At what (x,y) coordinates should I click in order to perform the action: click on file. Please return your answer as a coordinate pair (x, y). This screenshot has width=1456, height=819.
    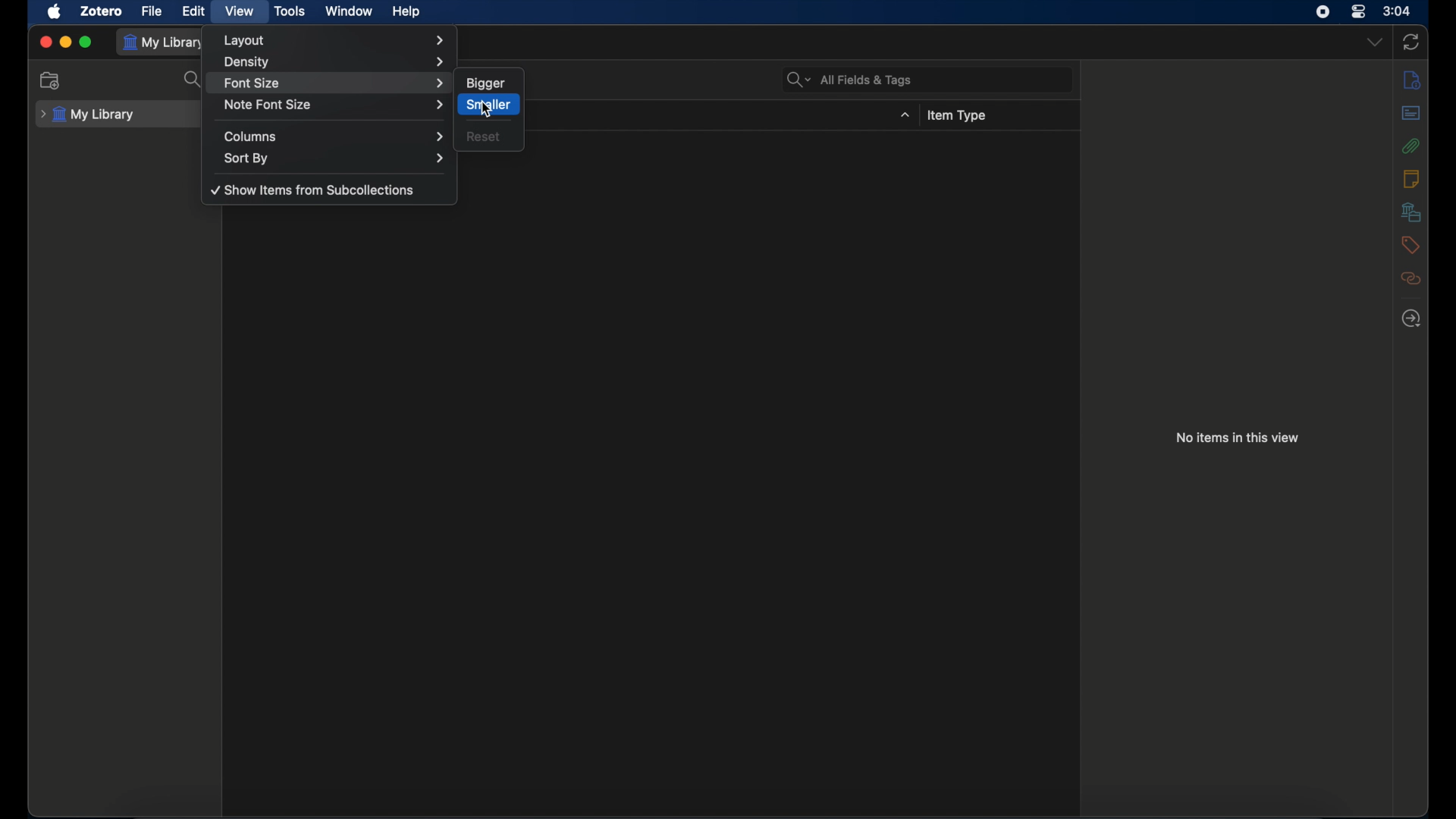
    Looking at the image, I should click on (152, 11).